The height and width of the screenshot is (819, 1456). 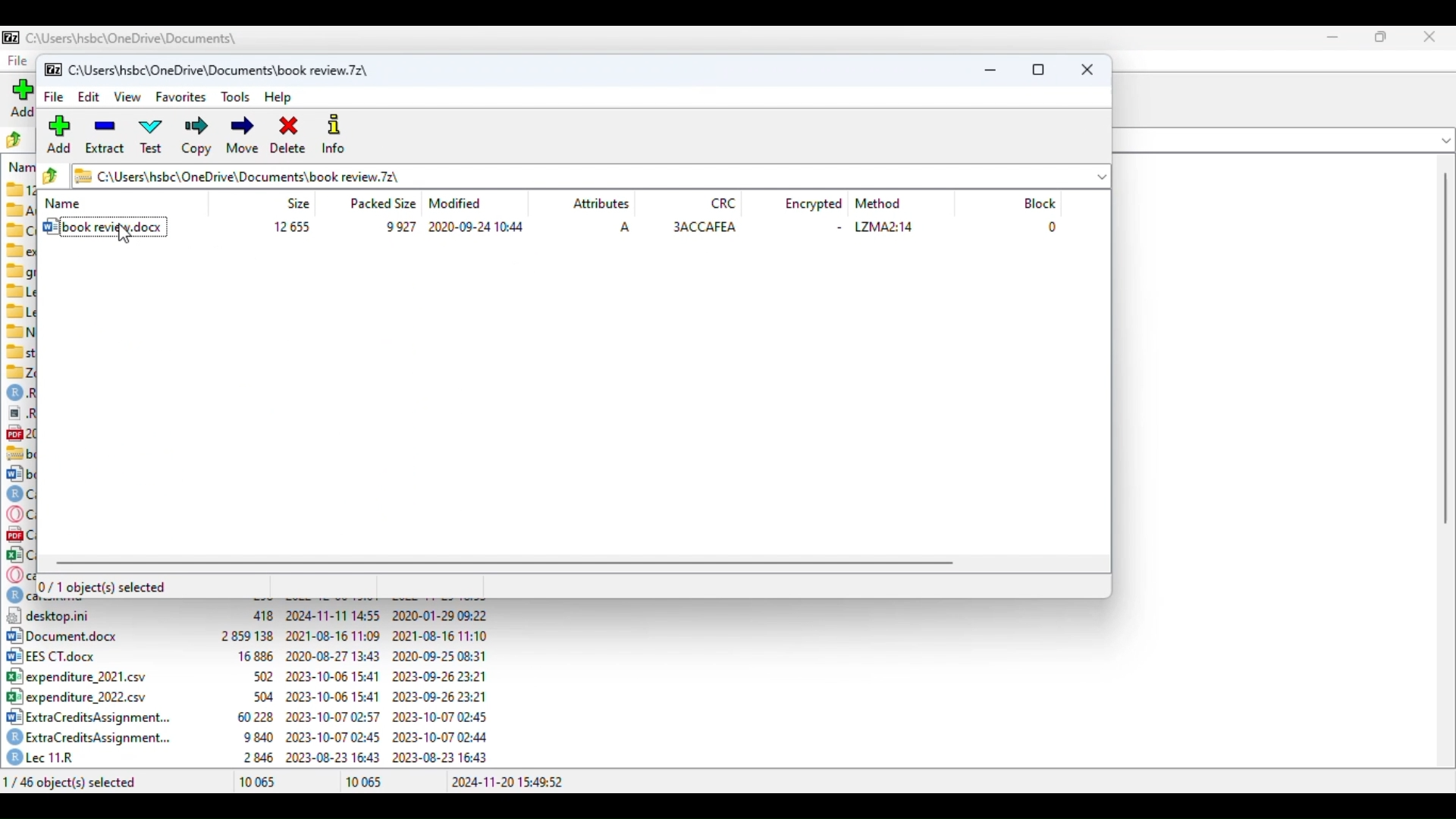 What do you see at coordinates (248, 635) in the screenshot?
I see `[2] Document.docx 2859138 2021-08-16 11:09
— reueEa E Hpe0` at bounding box center [248, 635].